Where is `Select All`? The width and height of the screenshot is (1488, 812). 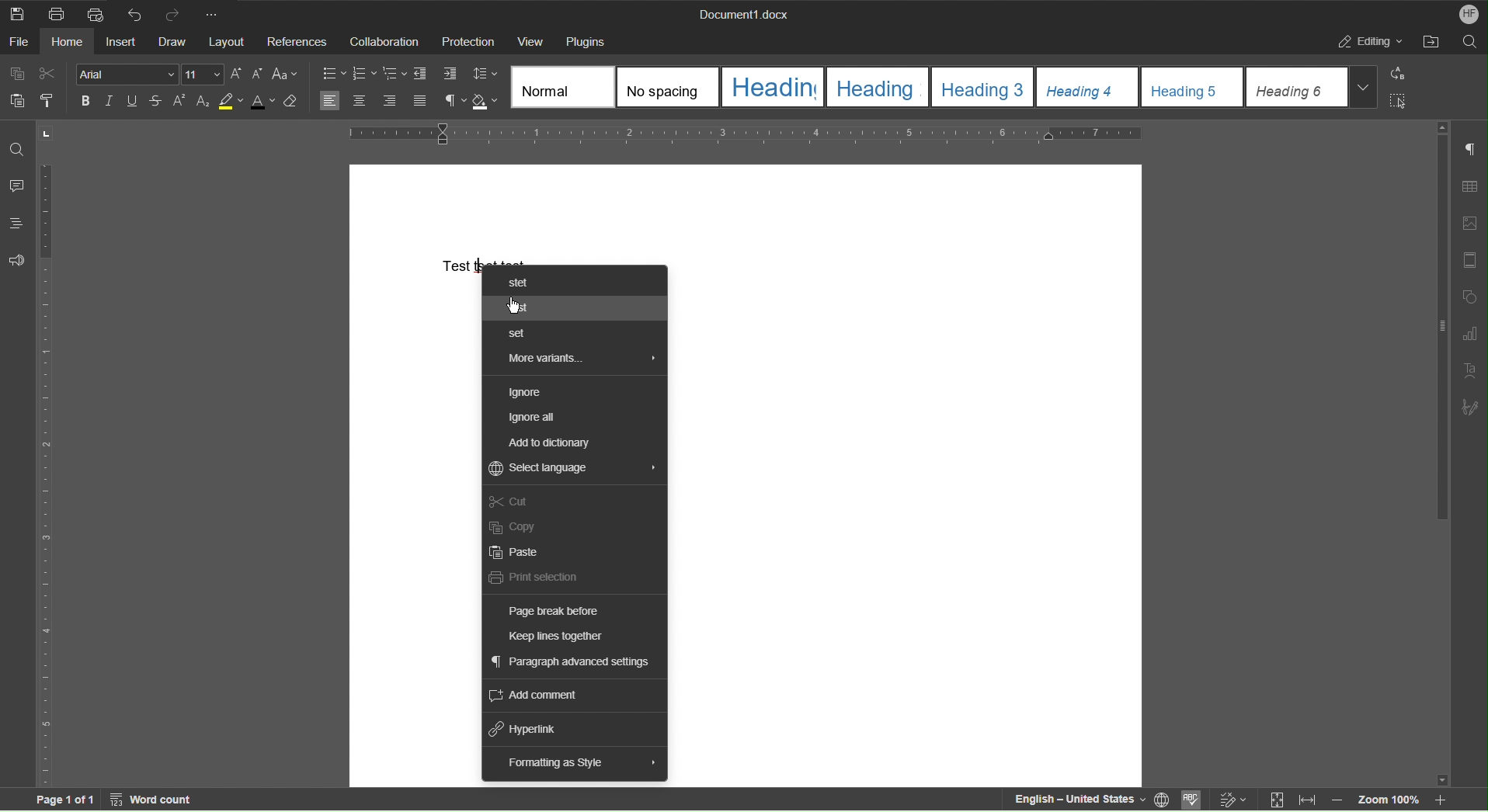
Select All is located at coordinates (1397, 99).